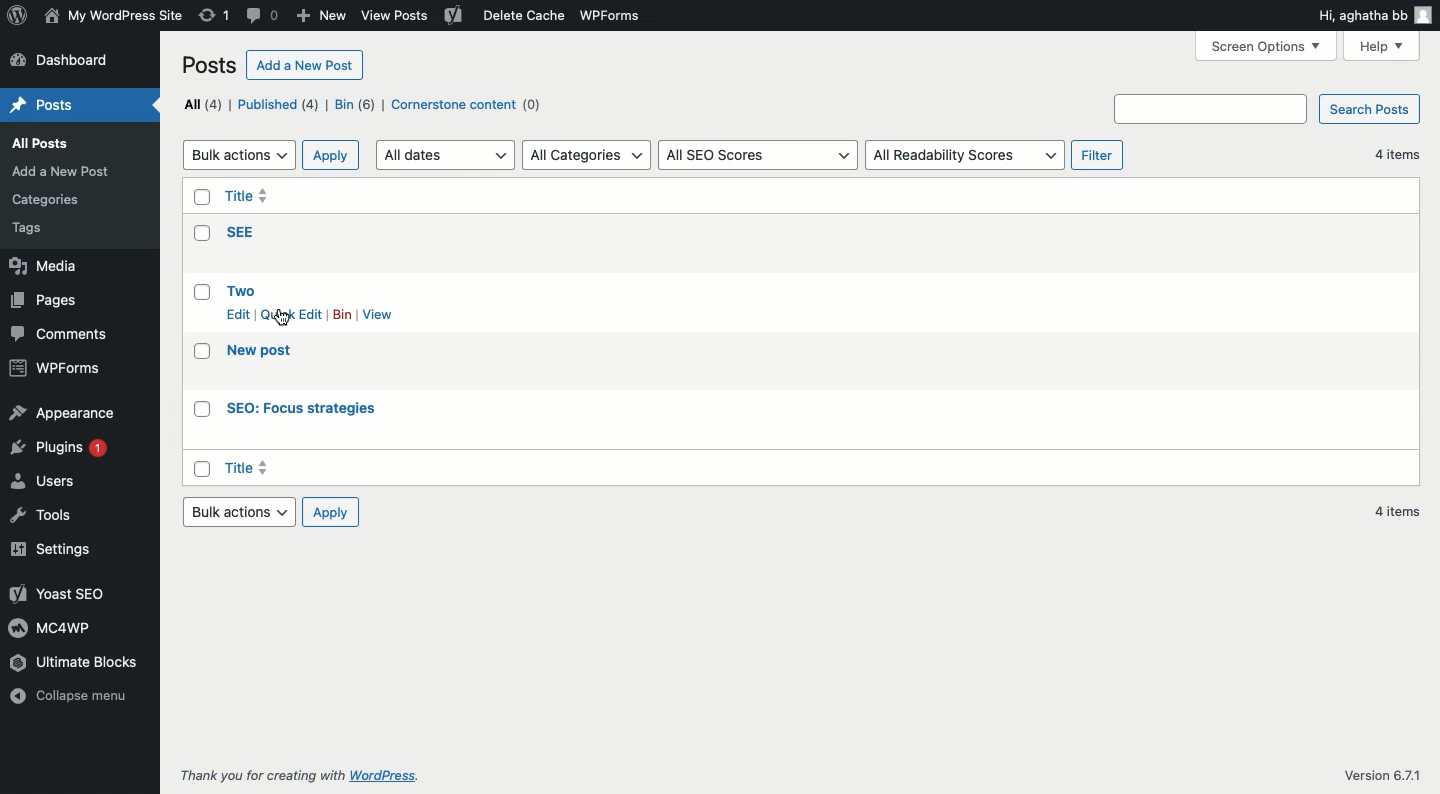  Describe the element at coordinates (55, 593) in the screenshot. I see `Yoast SEO` at that location.